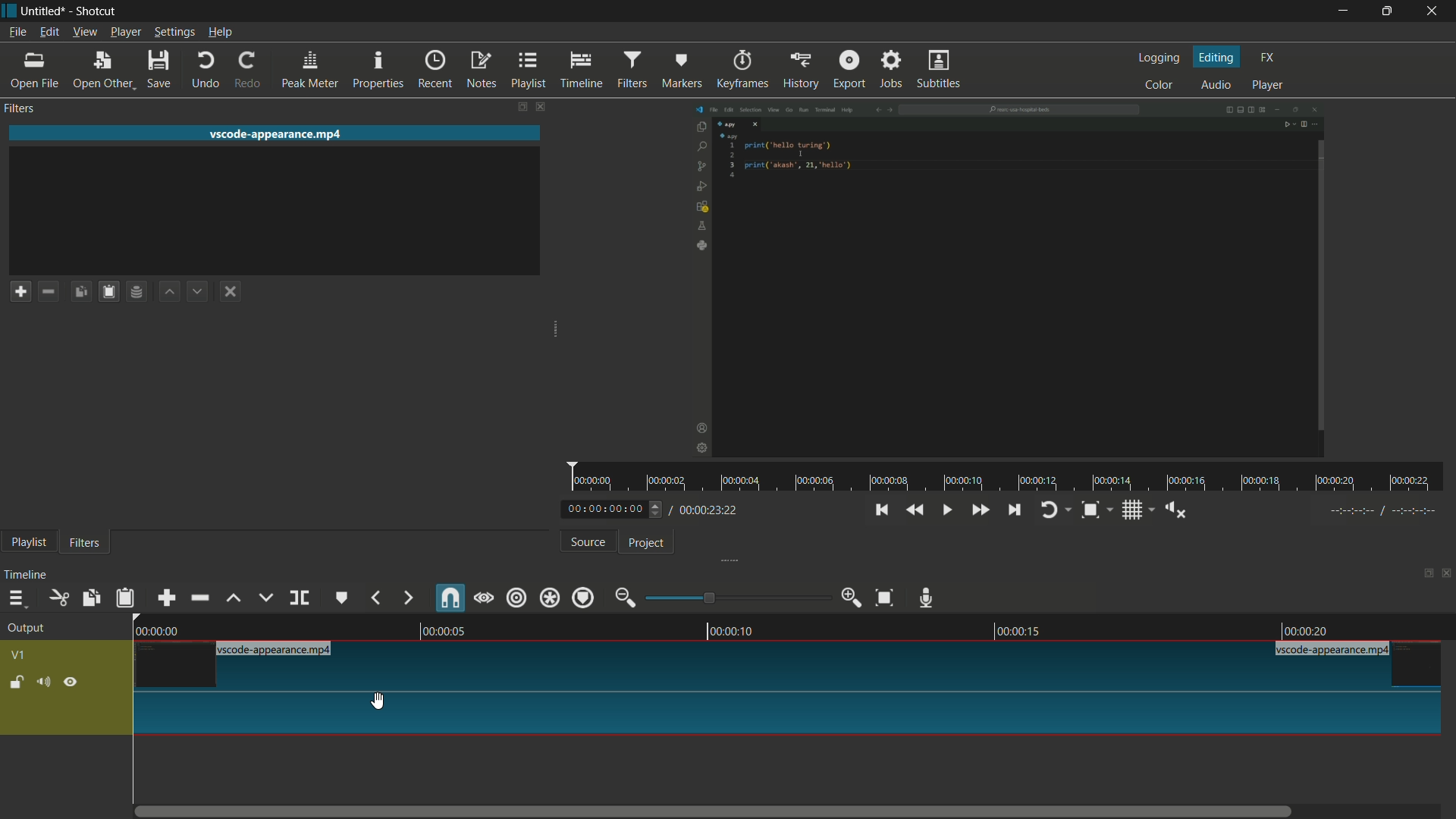  I want to click on snap, so click(452, 598).